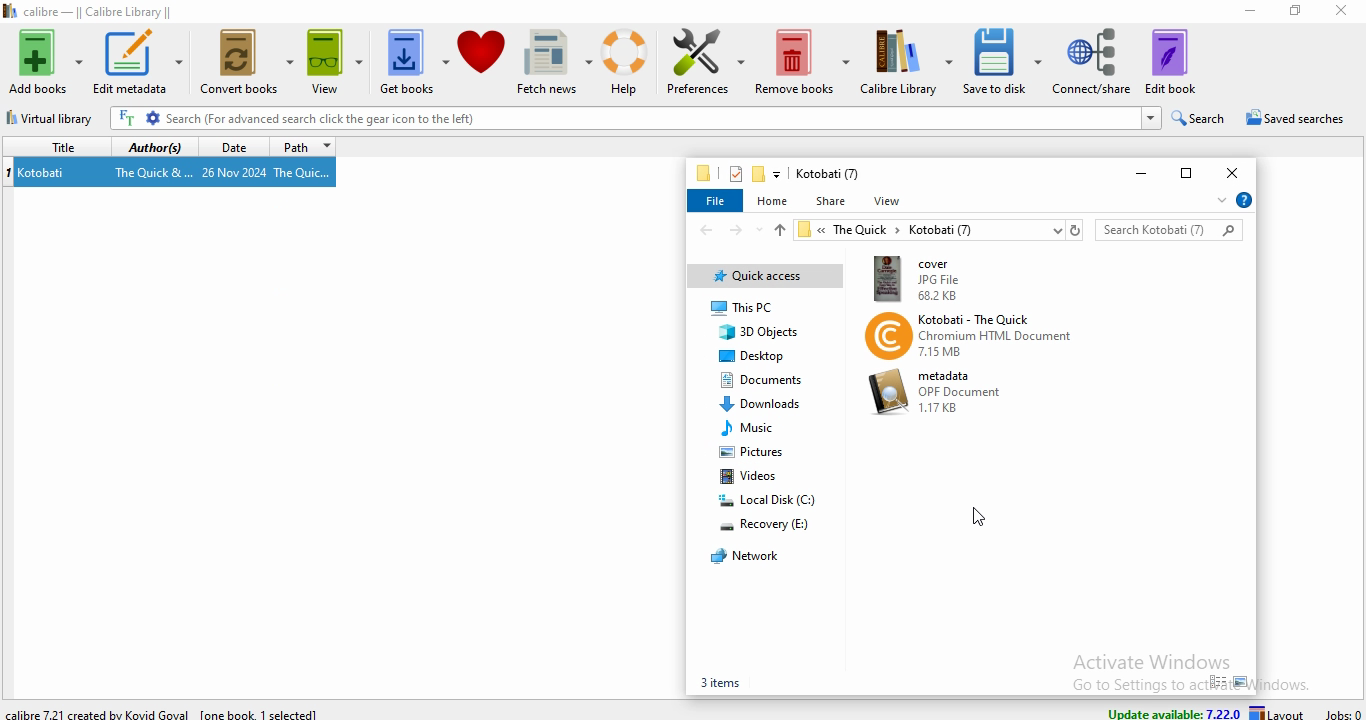 This screenshot has width=1366, height=720. What do you see at coordinates (759, 175) in the screenshot?
I see `new folder` at bounding box center [759, 175].